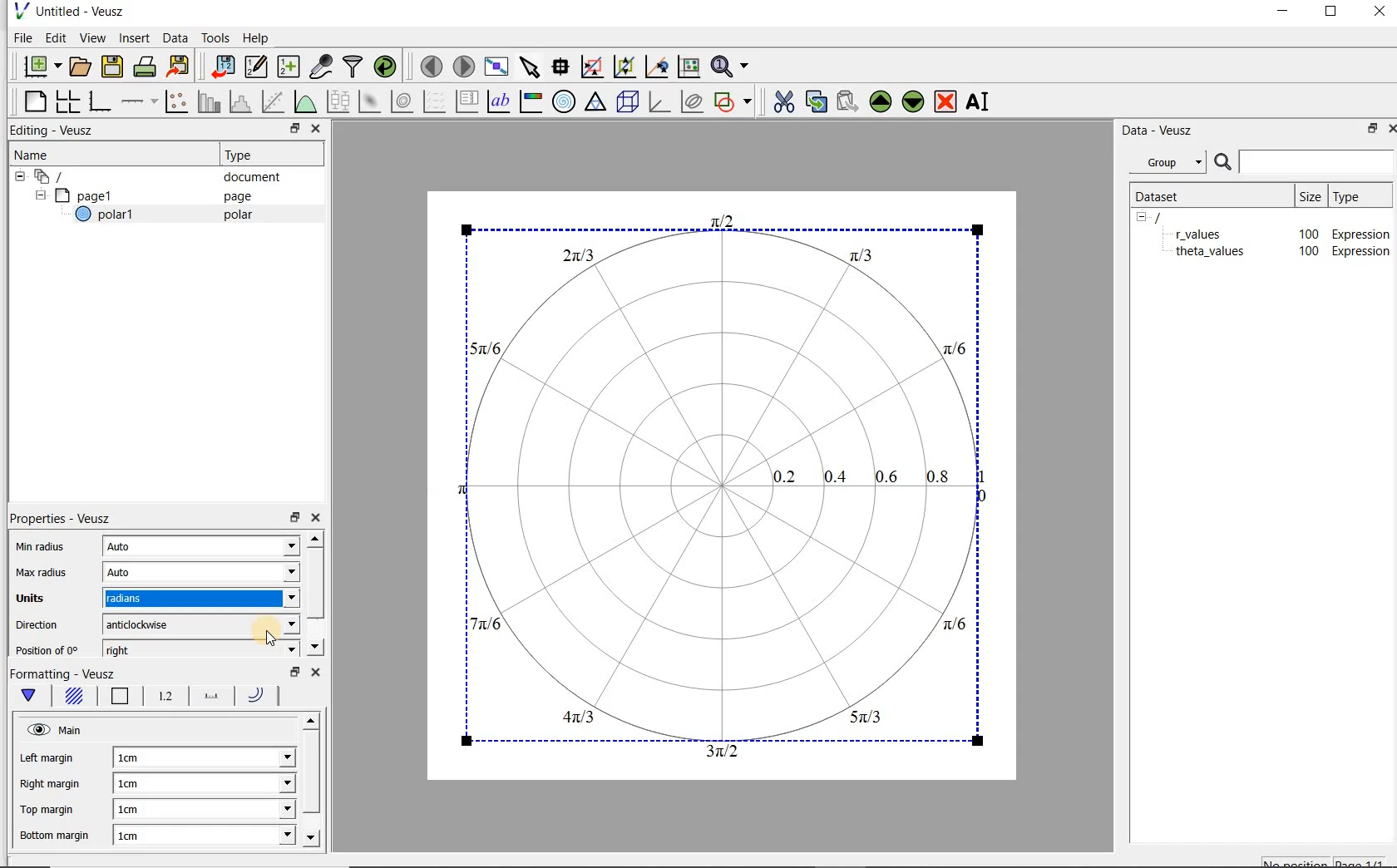 This screenshot has height=868, width=1397. I want to click on hide sub menu, so click(34, 196).